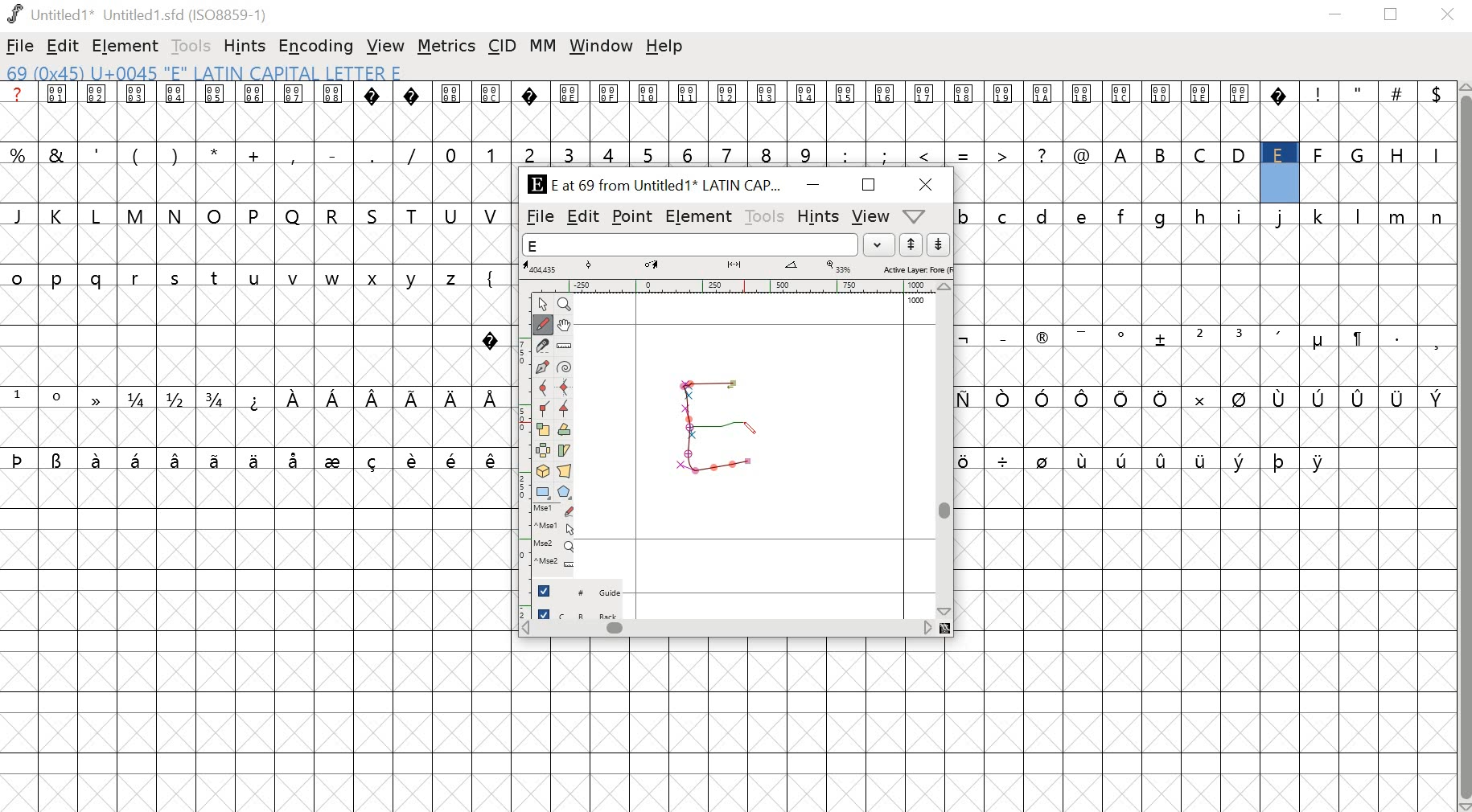 This screenshot has width=1472, height=812. Describe the element at coordinates (812, 187) in the screenshot. I see `minimize` at that location.